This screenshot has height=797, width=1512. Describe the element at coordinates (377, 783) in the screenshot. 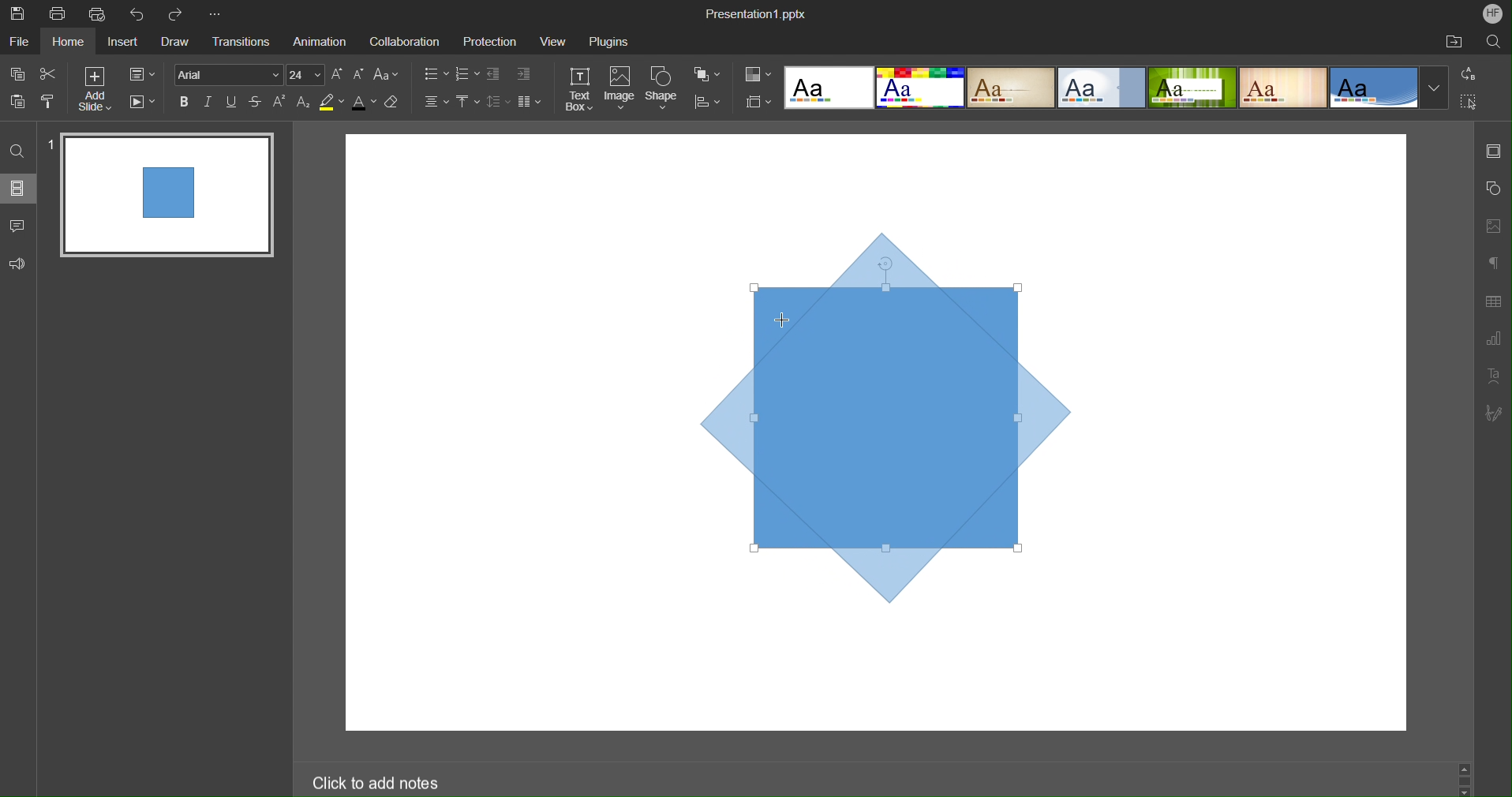

I see `Click to add notes` at that location.